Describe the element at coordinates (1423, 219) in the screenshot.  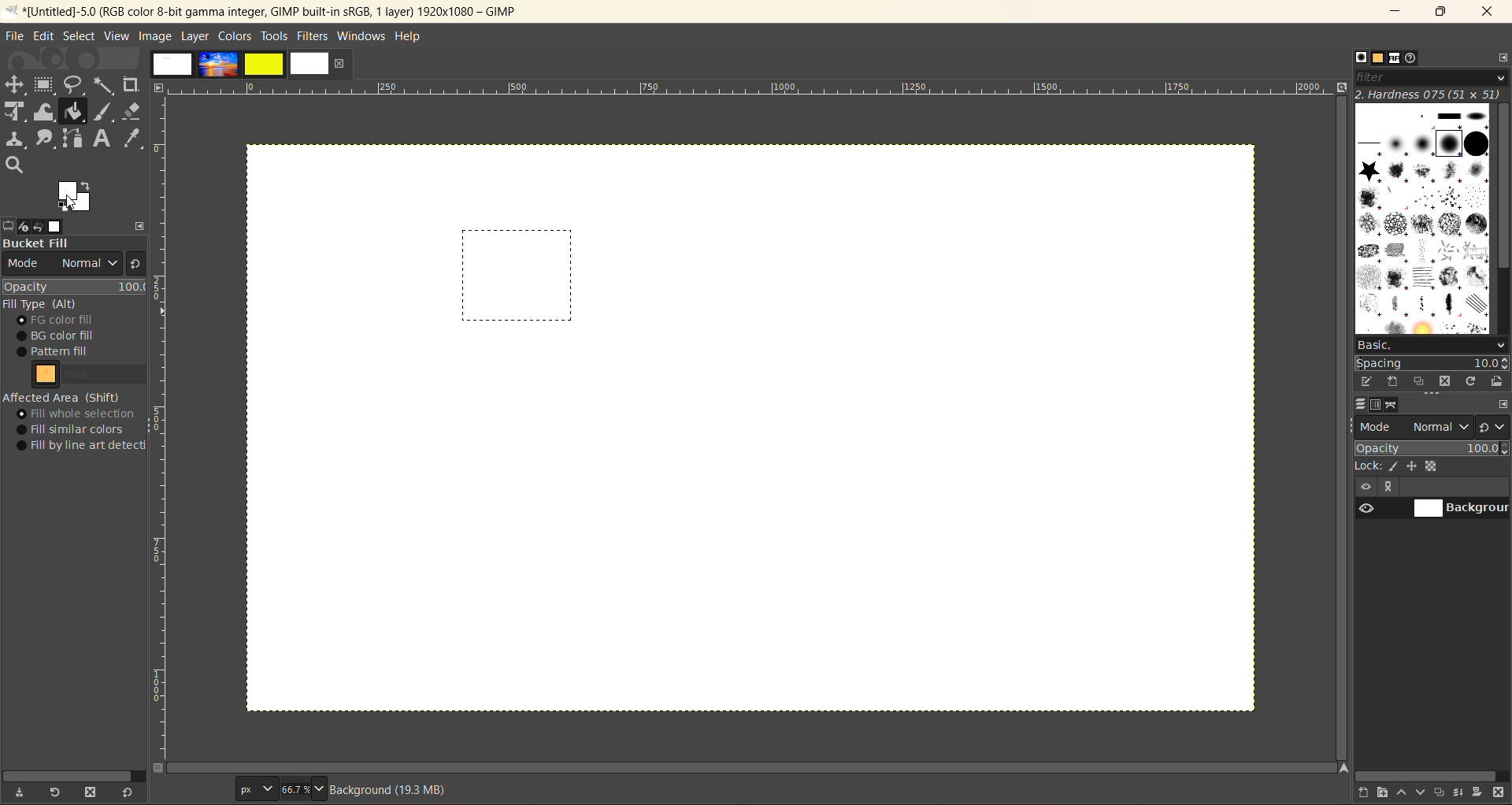
I see `brushes` at that location.